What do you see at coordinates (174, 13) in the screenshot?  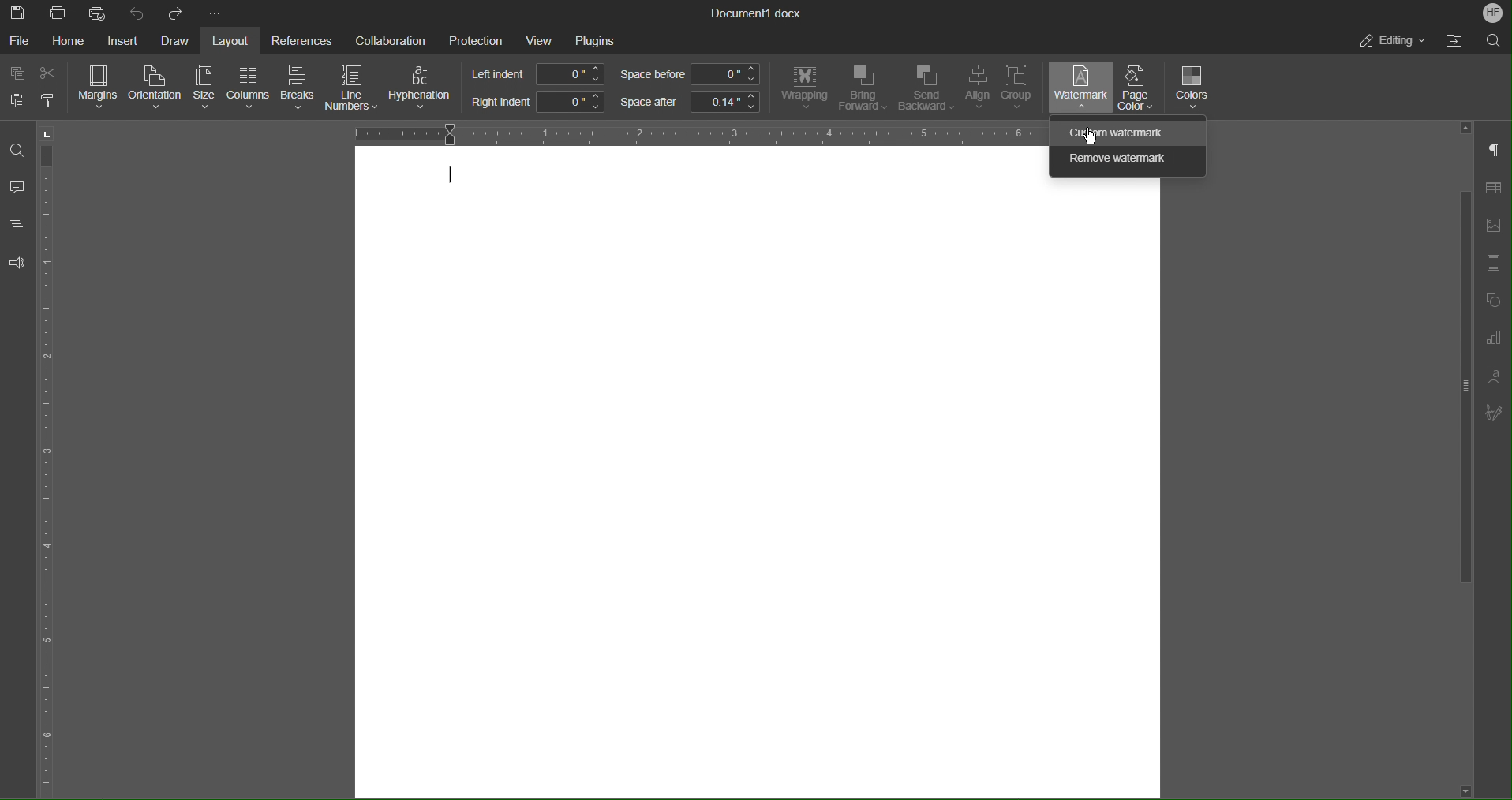 I see `Redo` at bounding box center [174, 13].